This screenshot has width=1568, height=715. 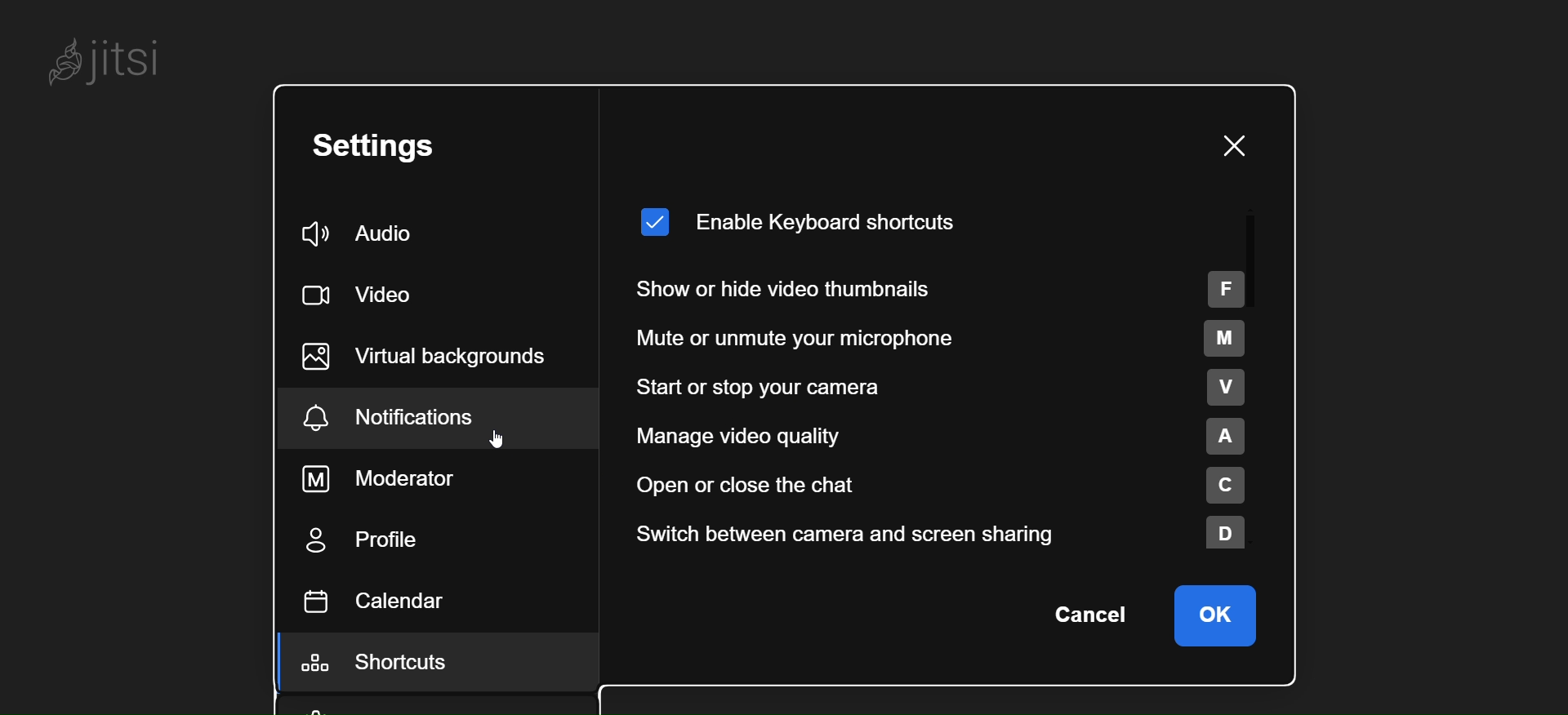 What do you see at coordinates (1093, 616) in the screenshot?
I see `cancel` at bounding box center [1093, 616].